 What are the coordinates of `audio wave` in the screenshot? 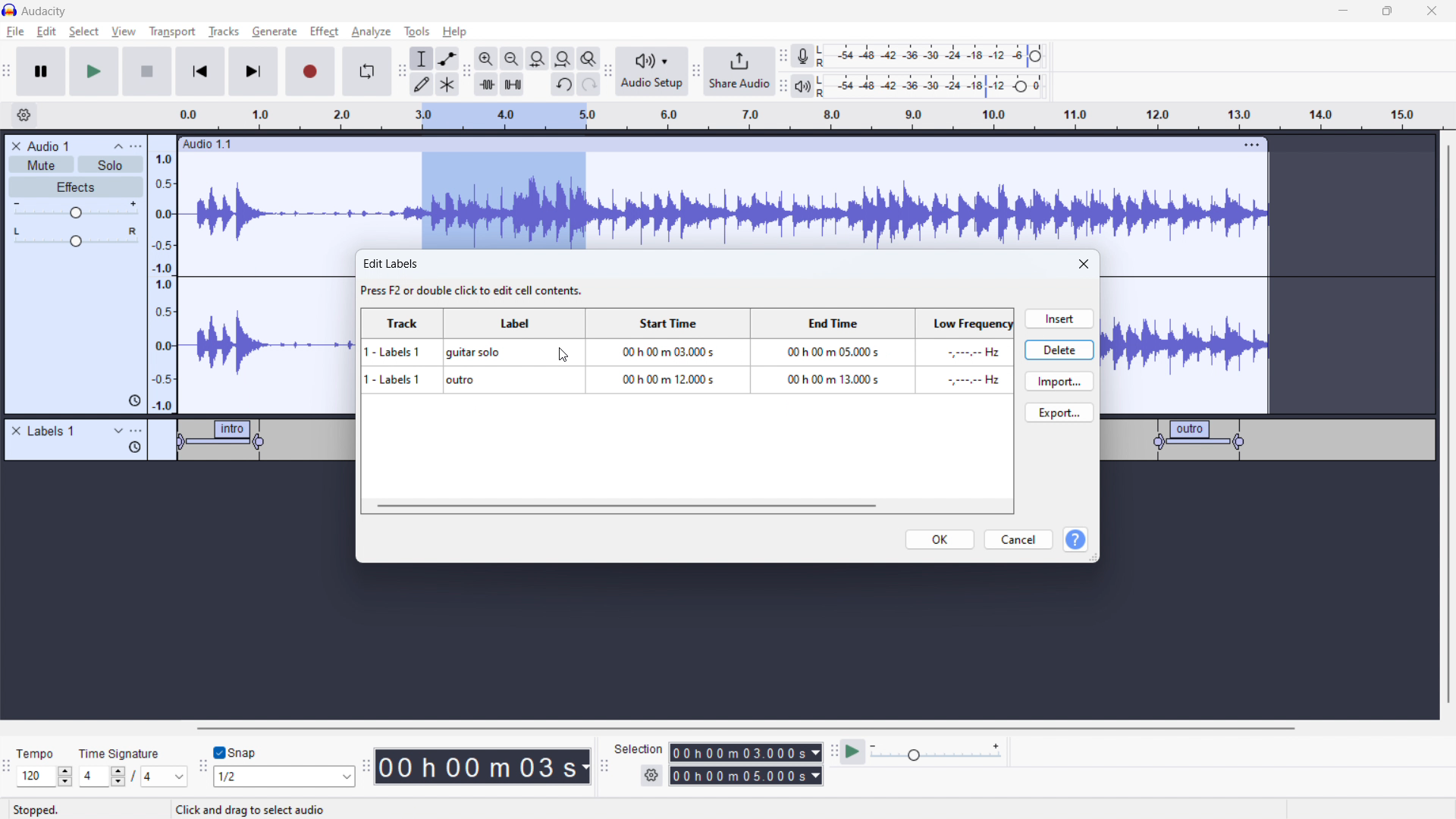 It's located at (1185, 344).